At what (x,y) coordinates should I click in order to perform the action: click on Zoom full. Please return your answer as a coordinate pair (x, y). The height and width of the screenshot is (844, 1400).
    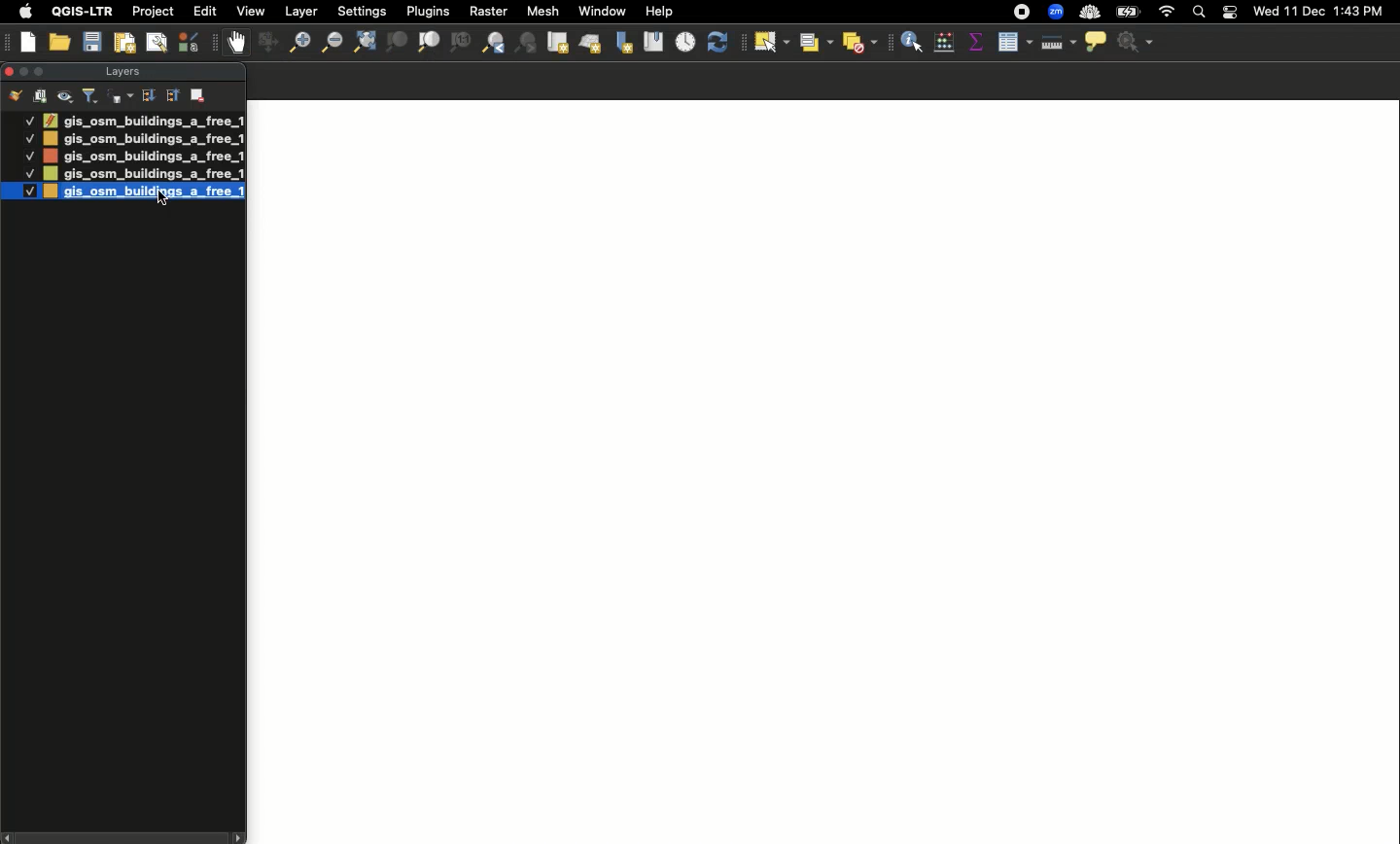
    Looking at the image, I should click on (363, 43).